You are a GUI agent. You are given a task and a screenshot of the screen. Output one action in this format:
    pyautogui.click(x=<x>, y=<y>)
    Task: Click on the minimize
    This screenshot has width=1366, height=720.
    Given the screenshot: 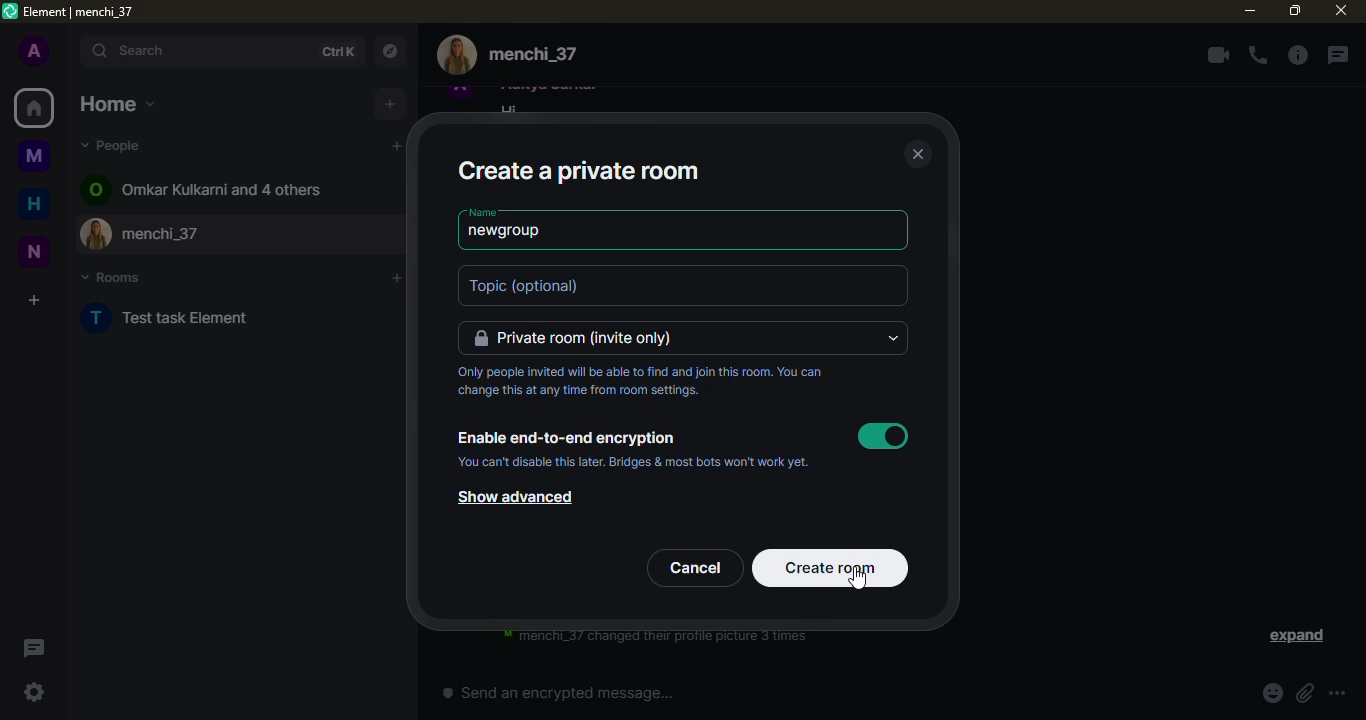 What is the action you would take?
    pyautogui.click(x=1250, y=10)
    